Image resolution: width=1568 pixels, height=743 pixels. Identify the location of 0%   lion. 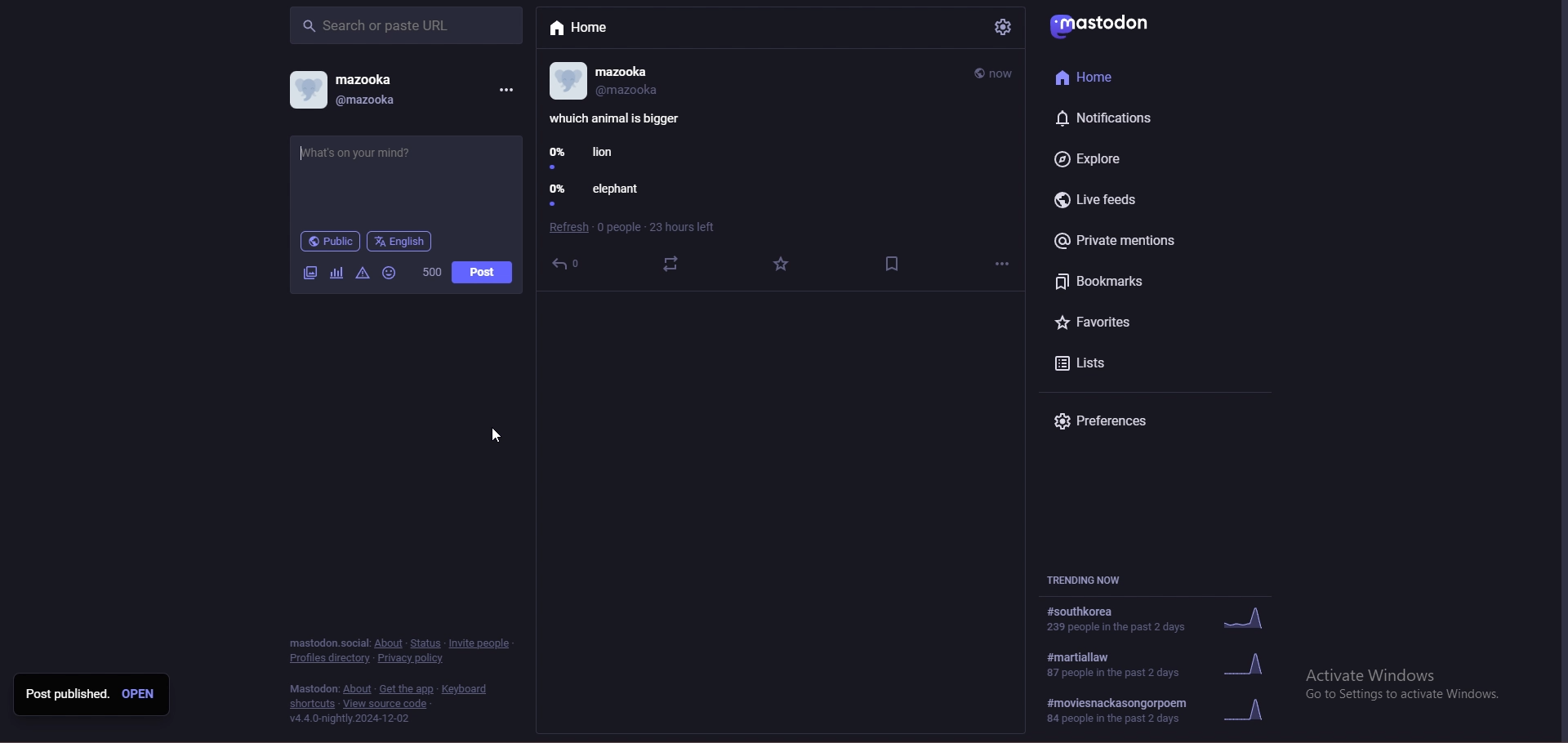
(588, 155).